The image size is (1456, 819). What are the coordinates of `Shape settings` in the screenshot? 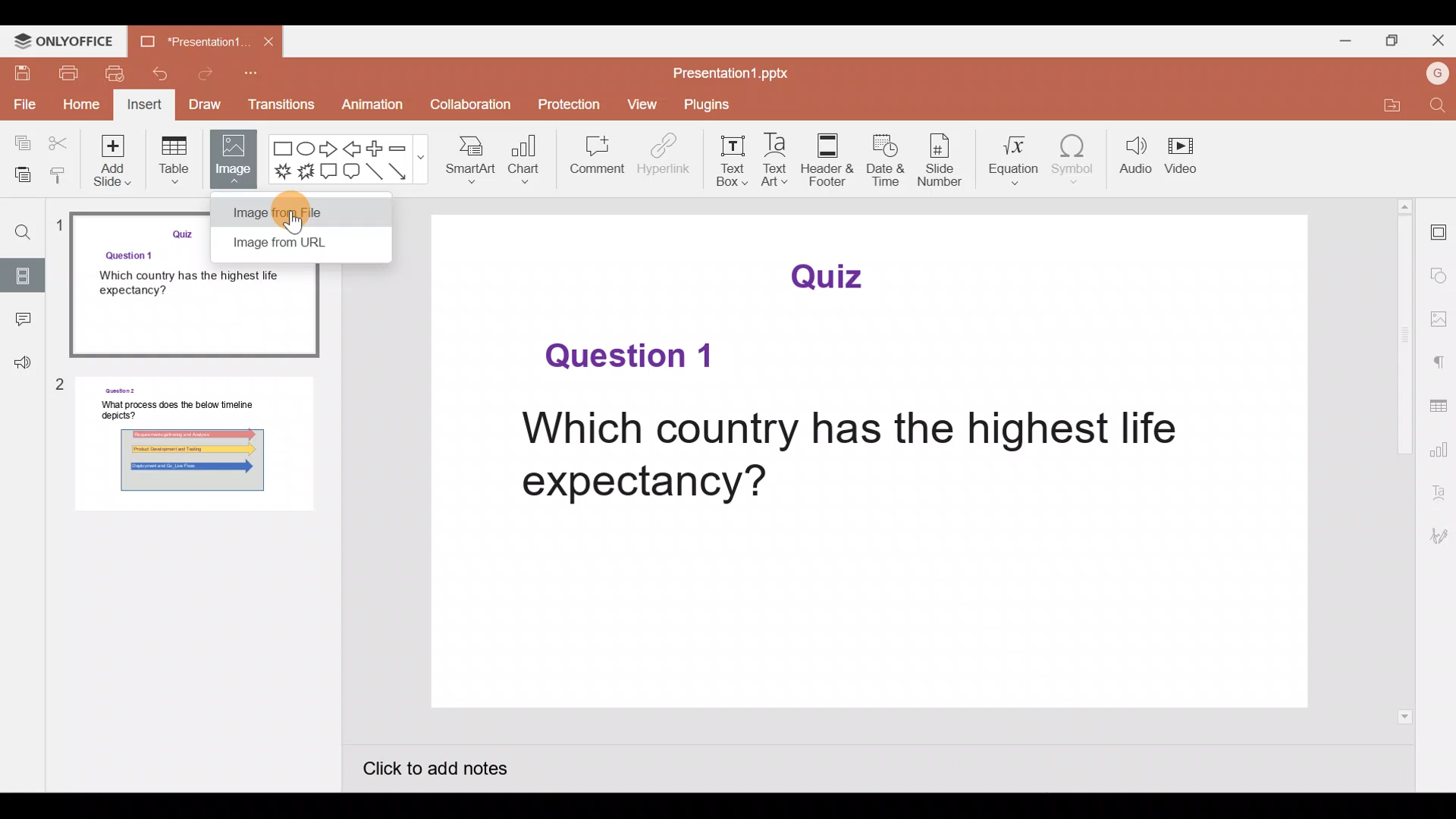 It's located at (1439, 275).